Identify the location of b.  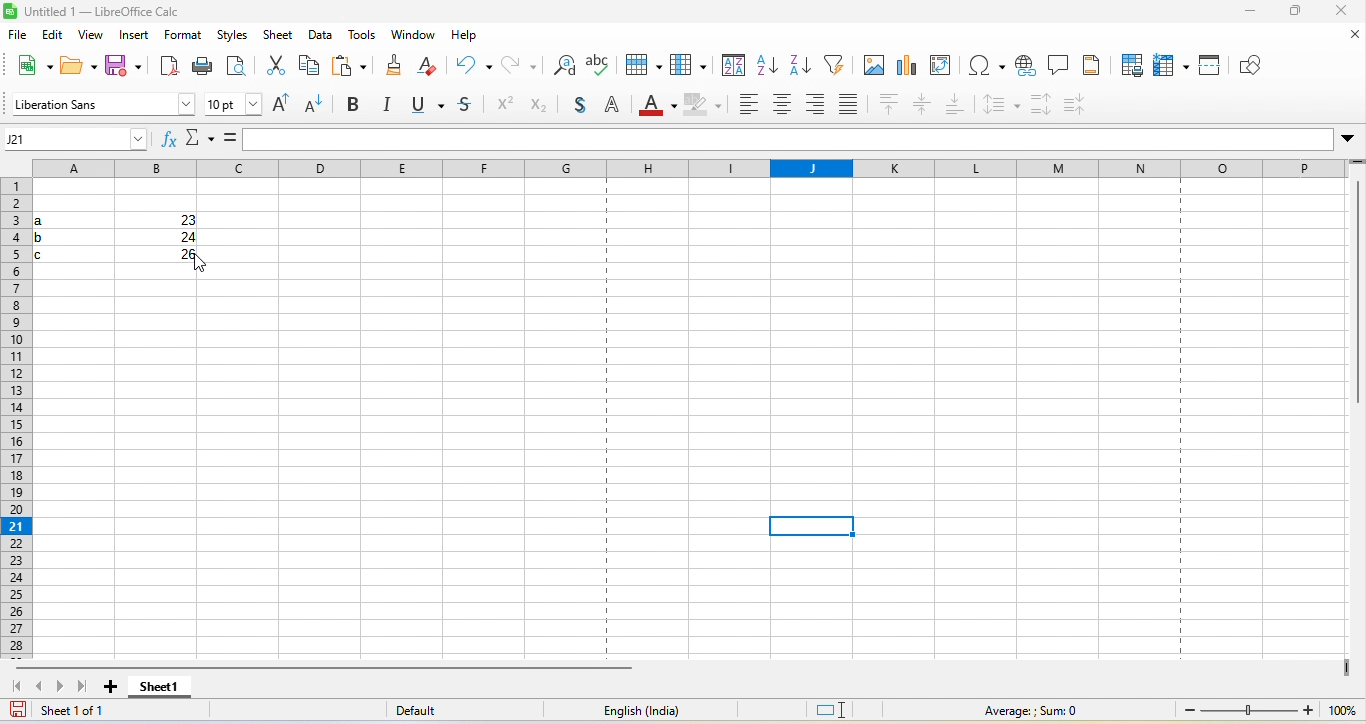
(55, 236).